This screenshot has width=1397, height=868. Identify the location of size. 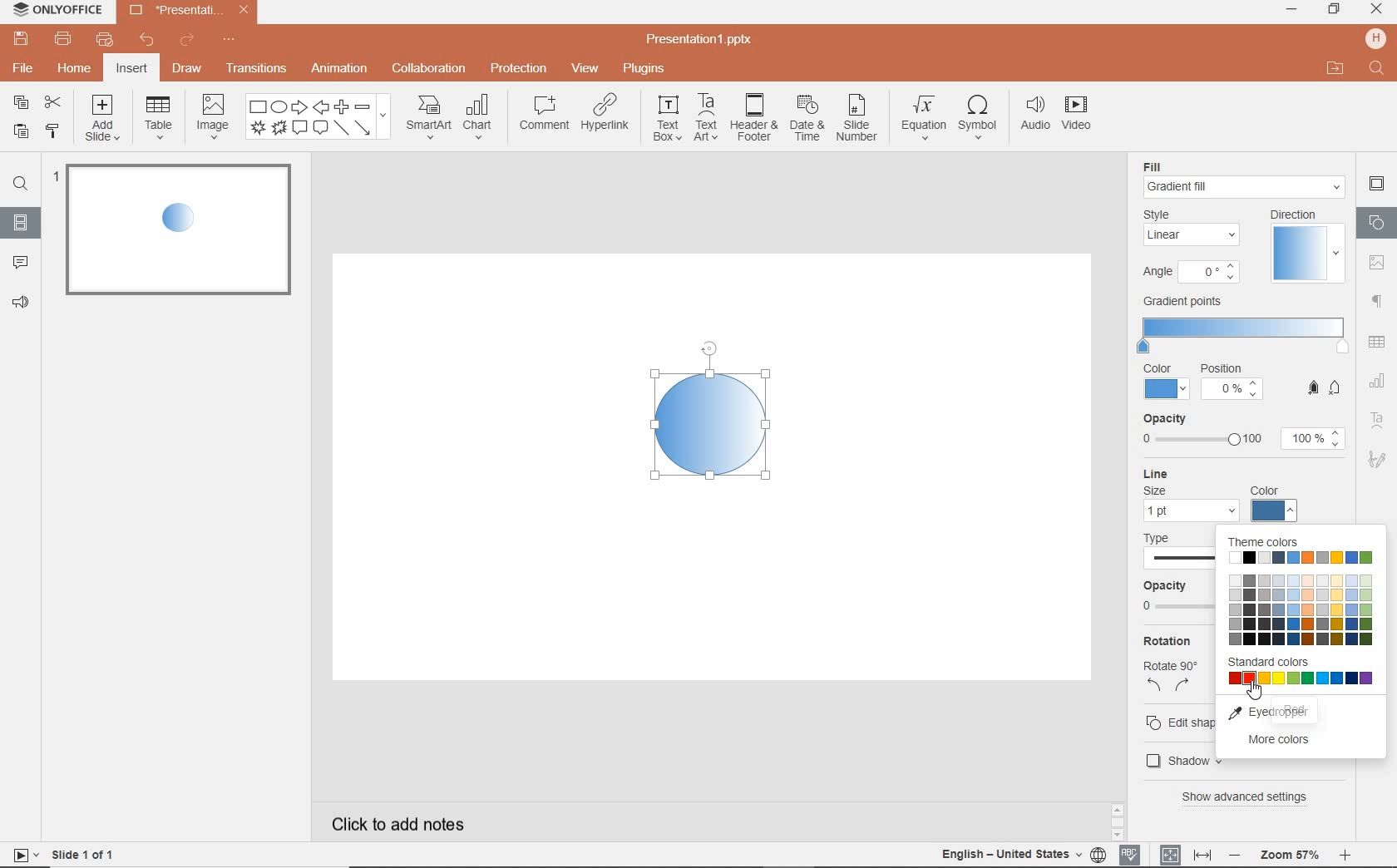
(1155, 491).